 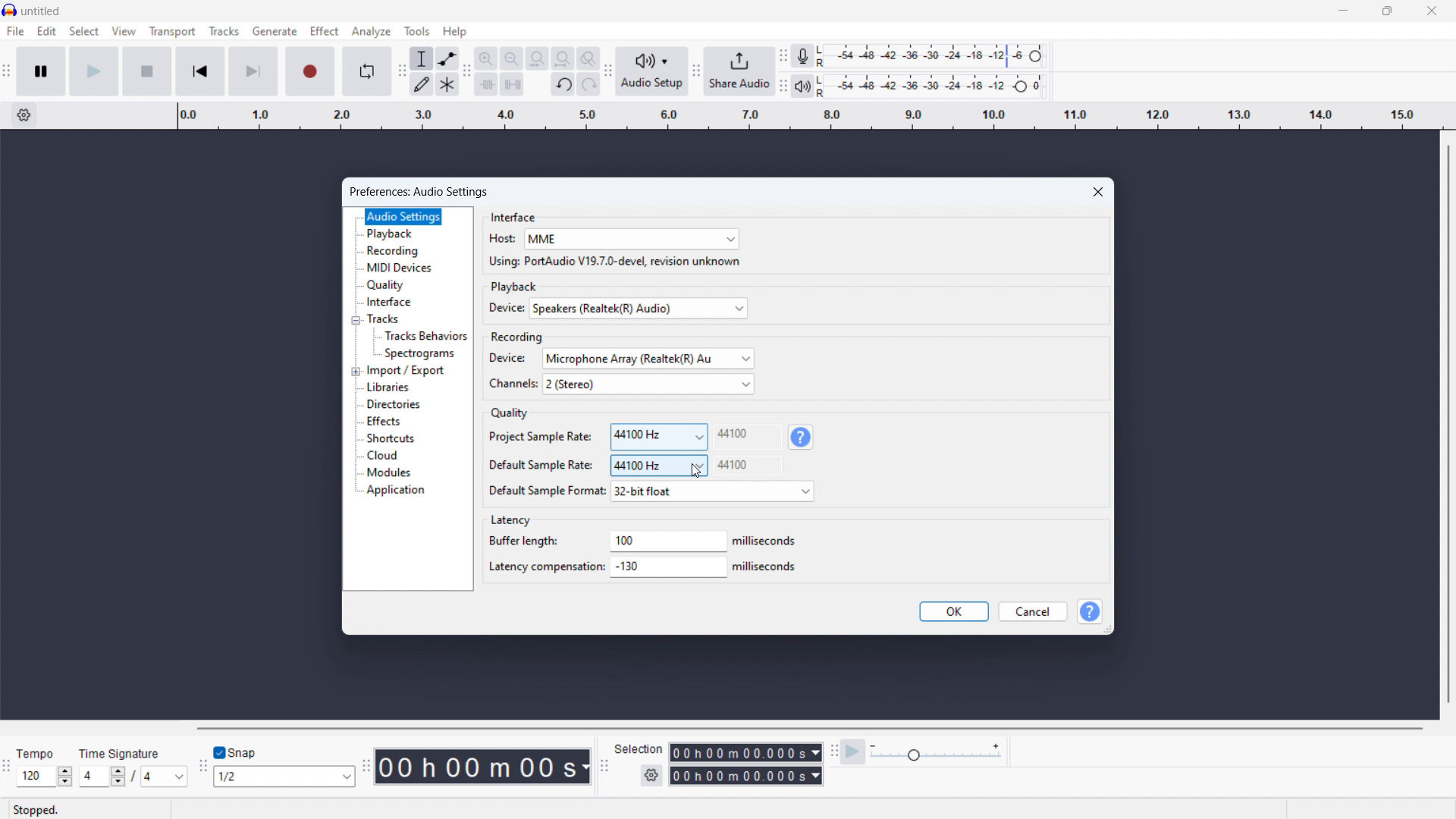 I want to click on toggle zoom, so click(x=588, y=58).